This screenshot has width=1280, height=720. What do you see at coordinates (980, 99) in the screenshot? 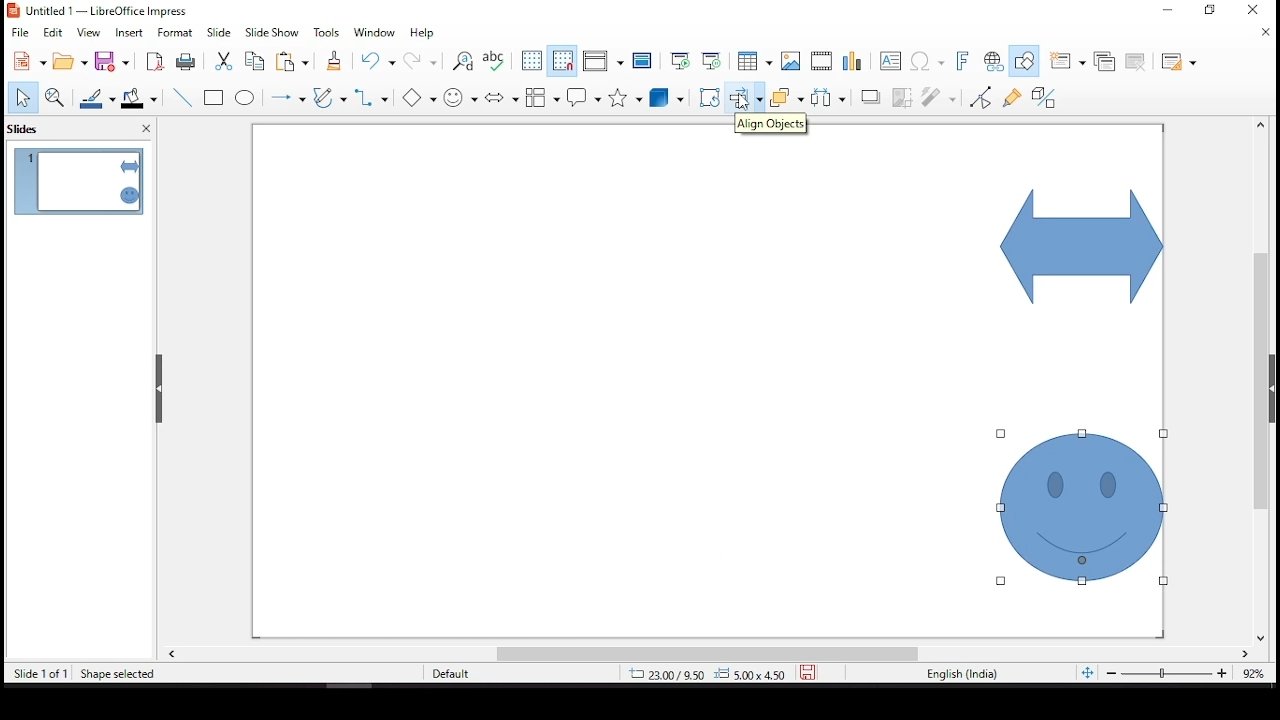
I see `toggle point edit mode` at bounding box center [980, 99].